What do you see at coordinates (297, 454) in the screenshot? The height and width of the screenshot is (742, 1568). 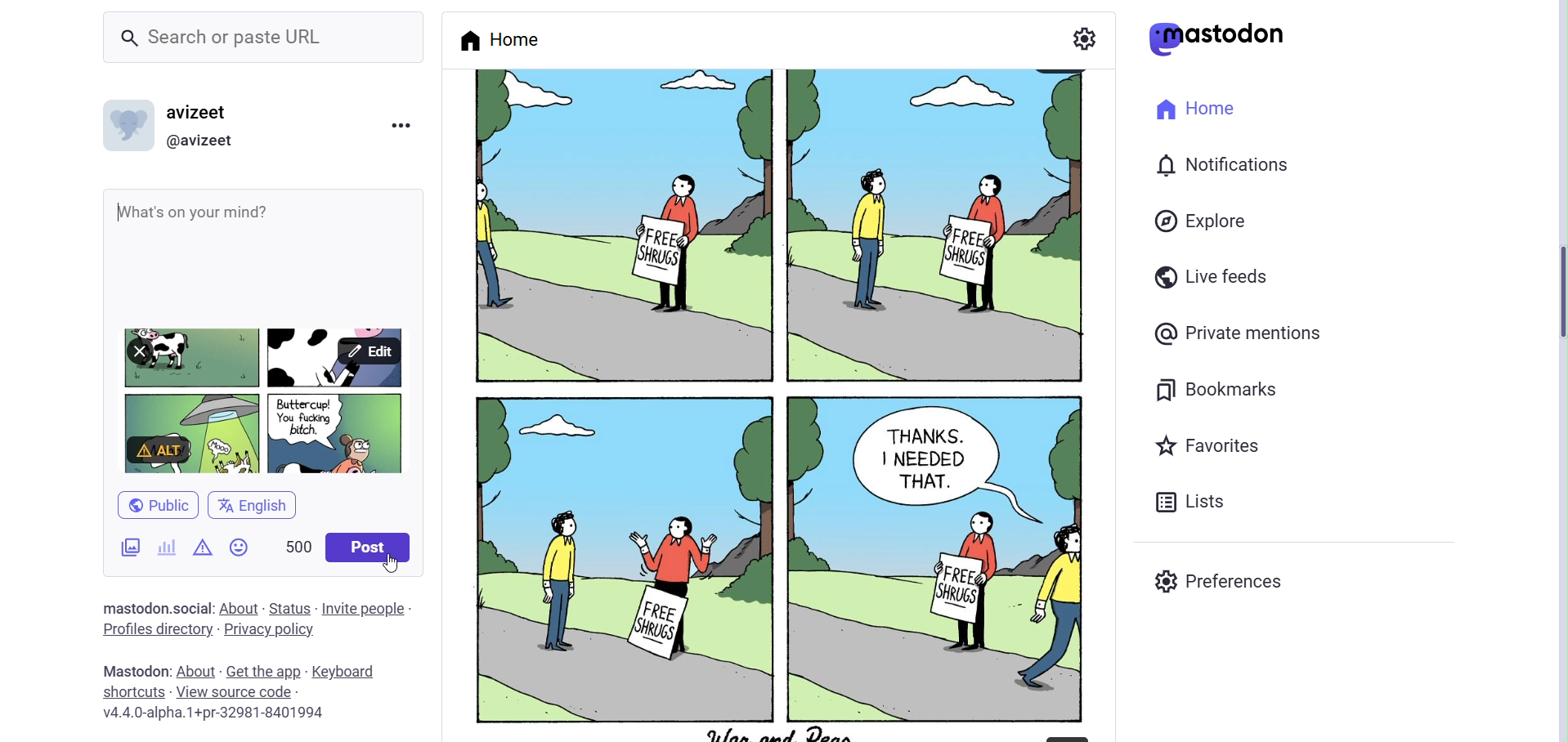 I see `Image to be posted` at bounding box center [297, 454].